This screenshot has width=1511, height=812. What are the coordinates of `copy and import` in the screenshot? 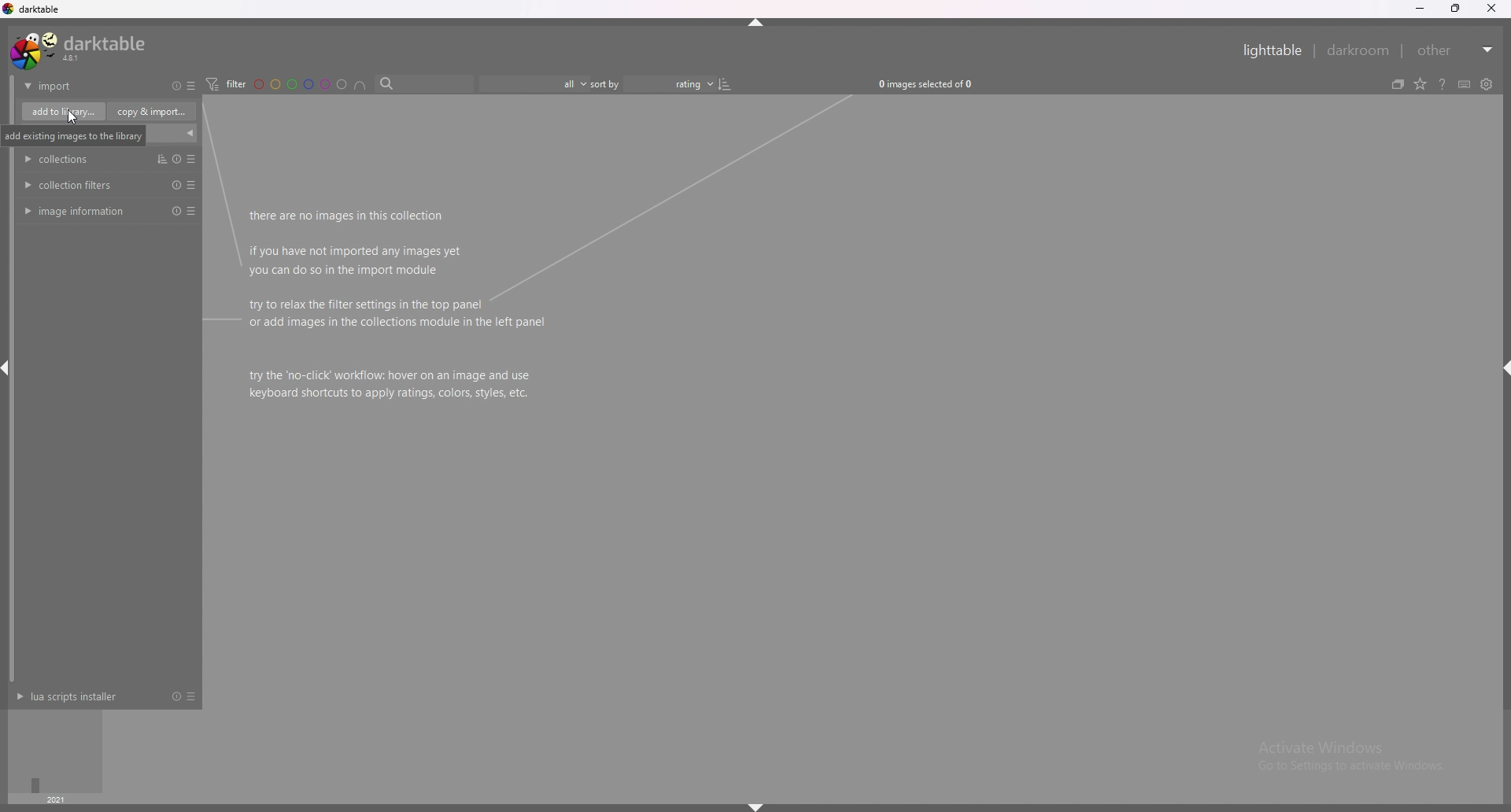 It's located at (152, 111).